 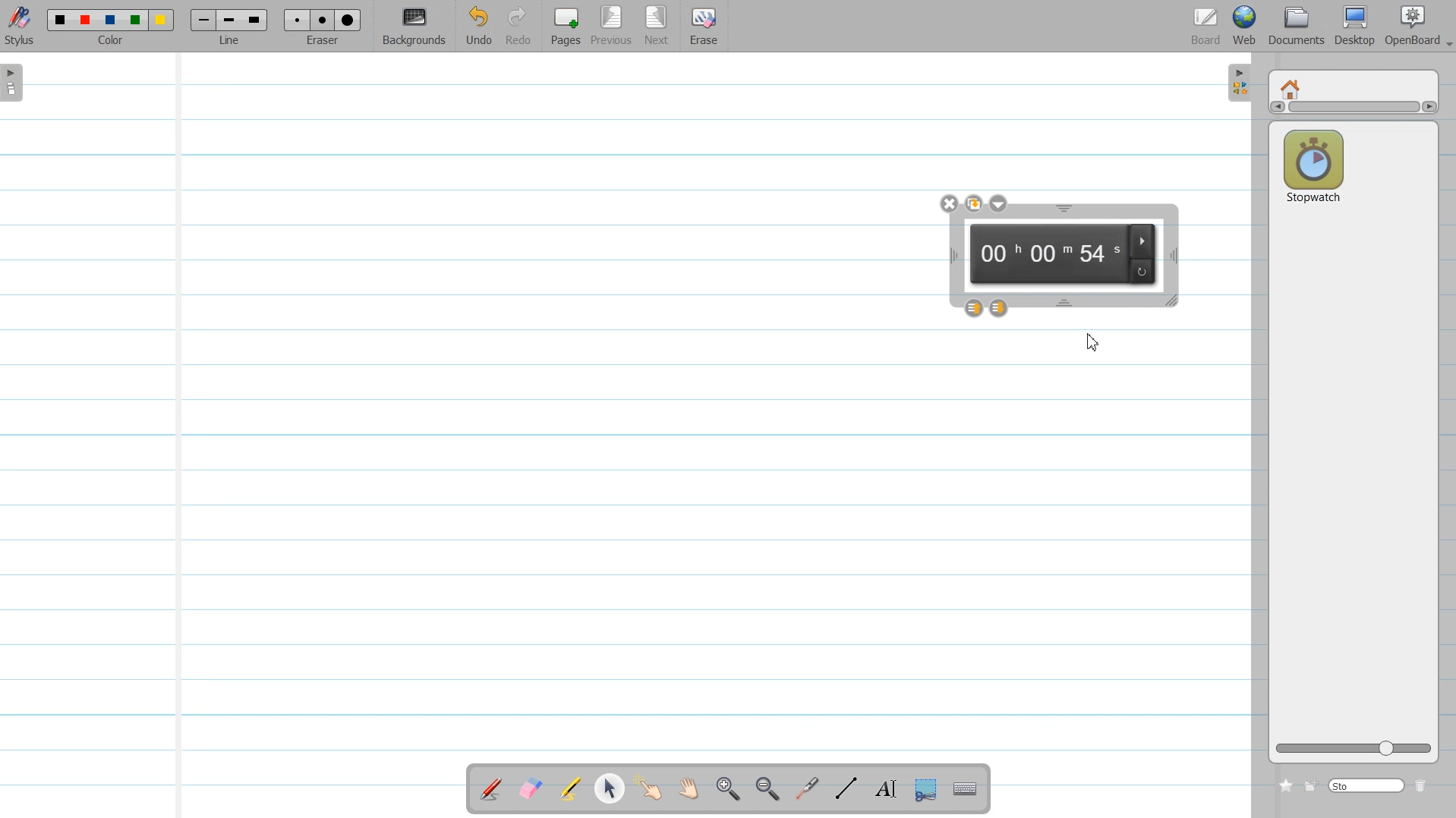 I want to click on Delete, so click(x=1424, y=785).